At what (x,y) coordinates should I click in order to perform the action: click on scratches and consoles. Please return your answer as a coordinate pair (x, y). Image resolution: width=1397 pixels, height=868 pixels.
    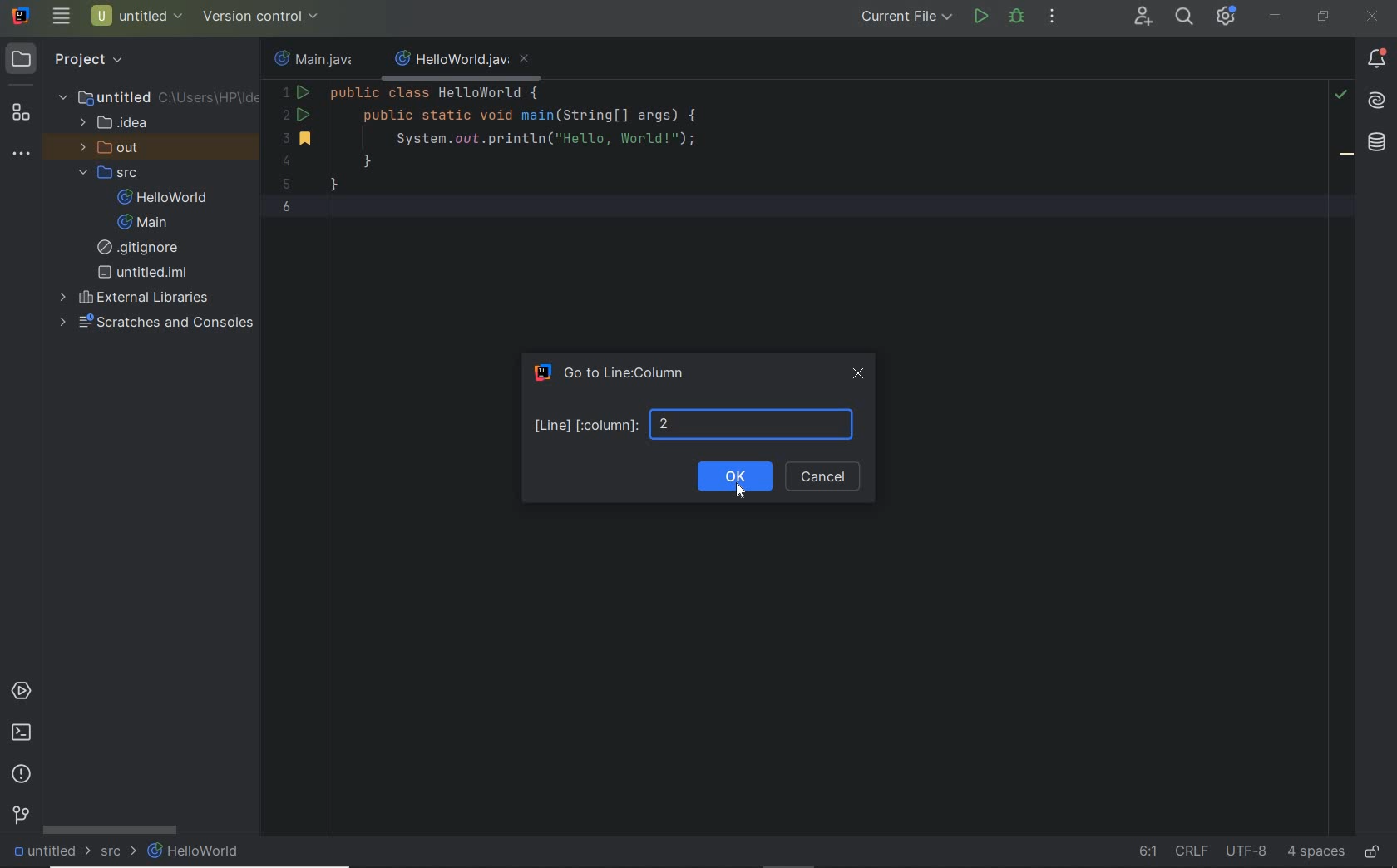
    Looking at the image, I should click on (157, 323).